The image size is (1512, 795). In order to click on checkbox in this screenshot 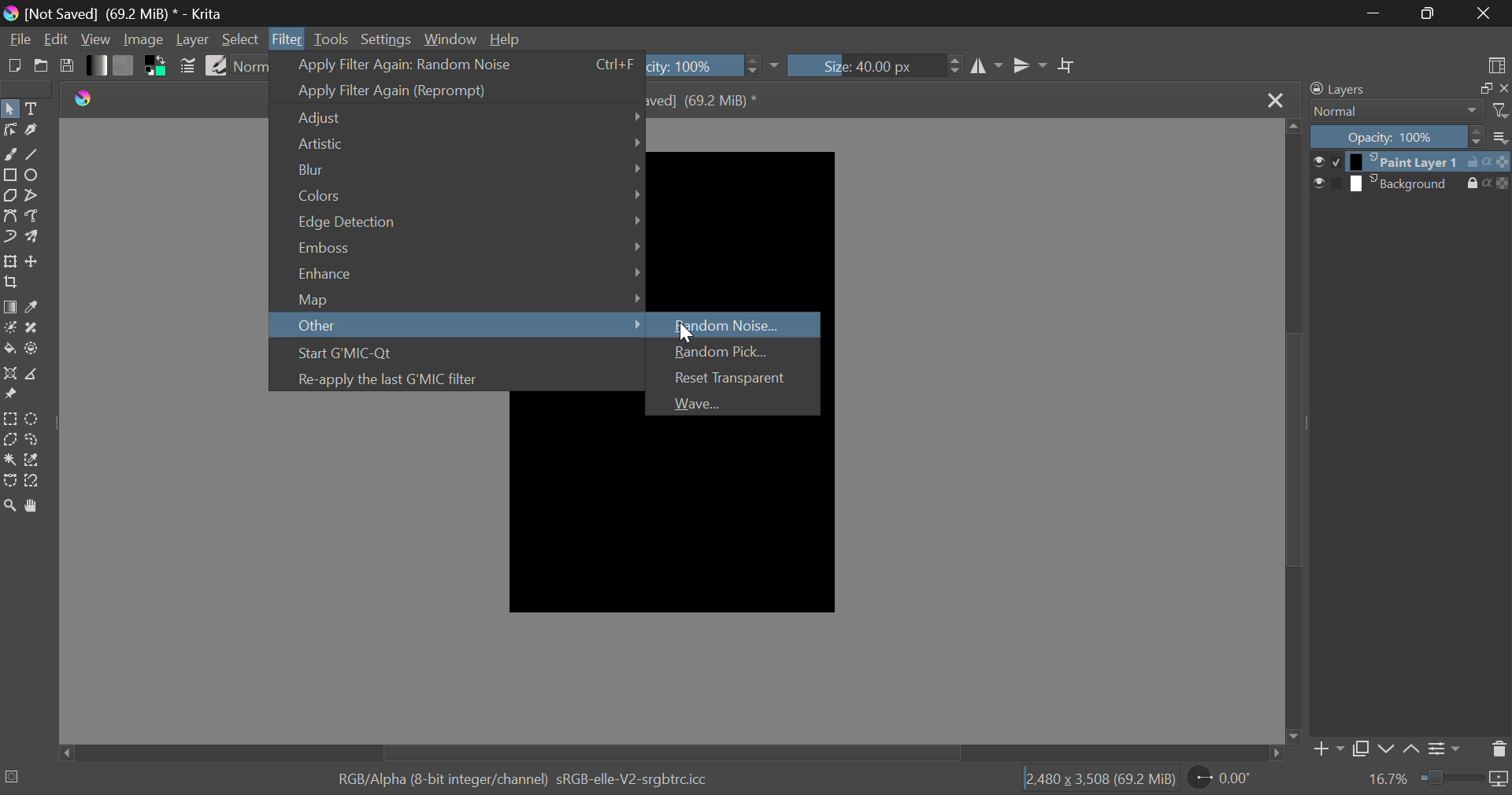, I will do `click(1335, 183)`.